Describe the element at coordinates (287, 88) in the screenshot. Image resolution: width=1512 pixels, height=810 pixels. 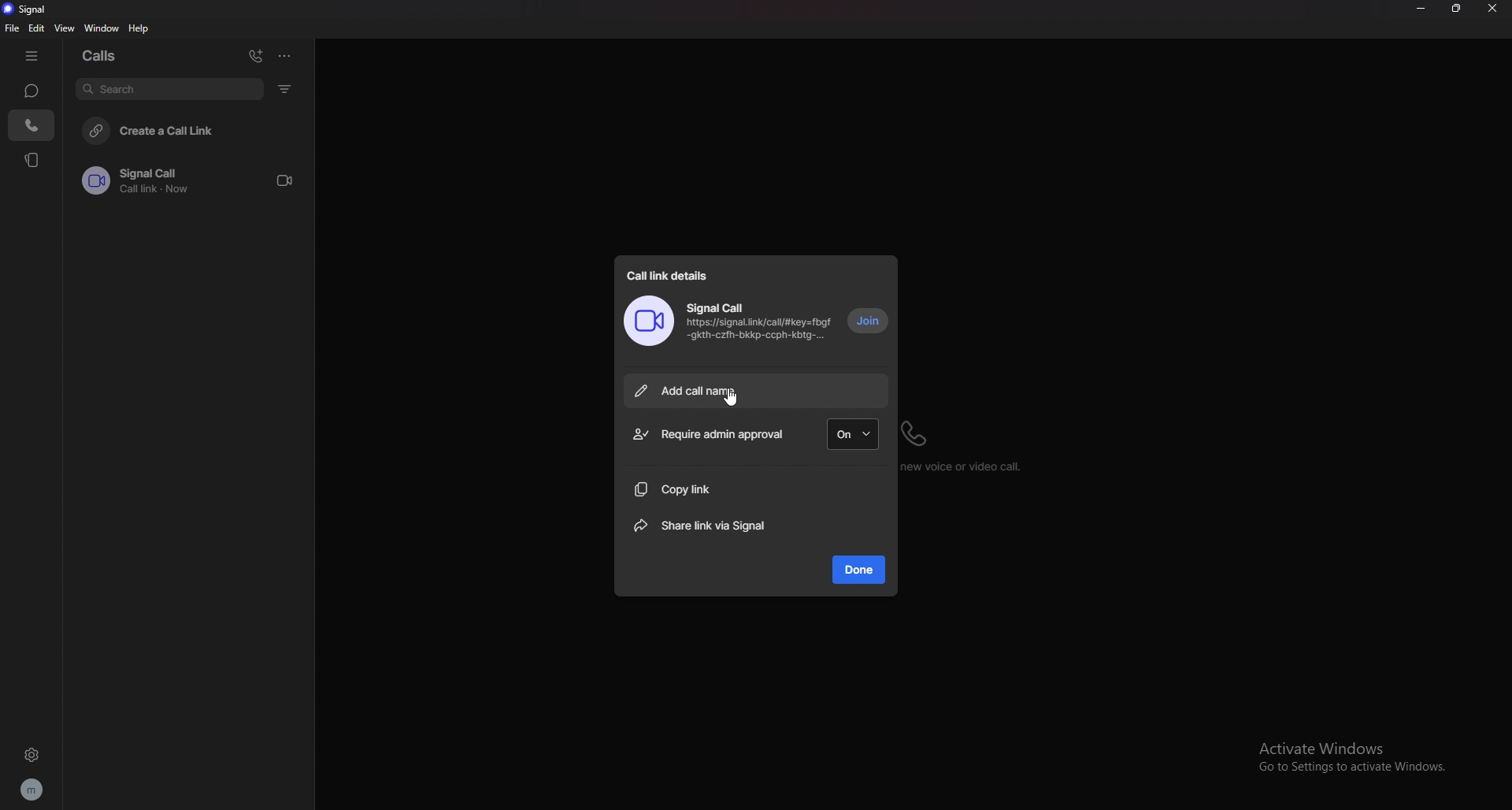
I see `filter` at that location.